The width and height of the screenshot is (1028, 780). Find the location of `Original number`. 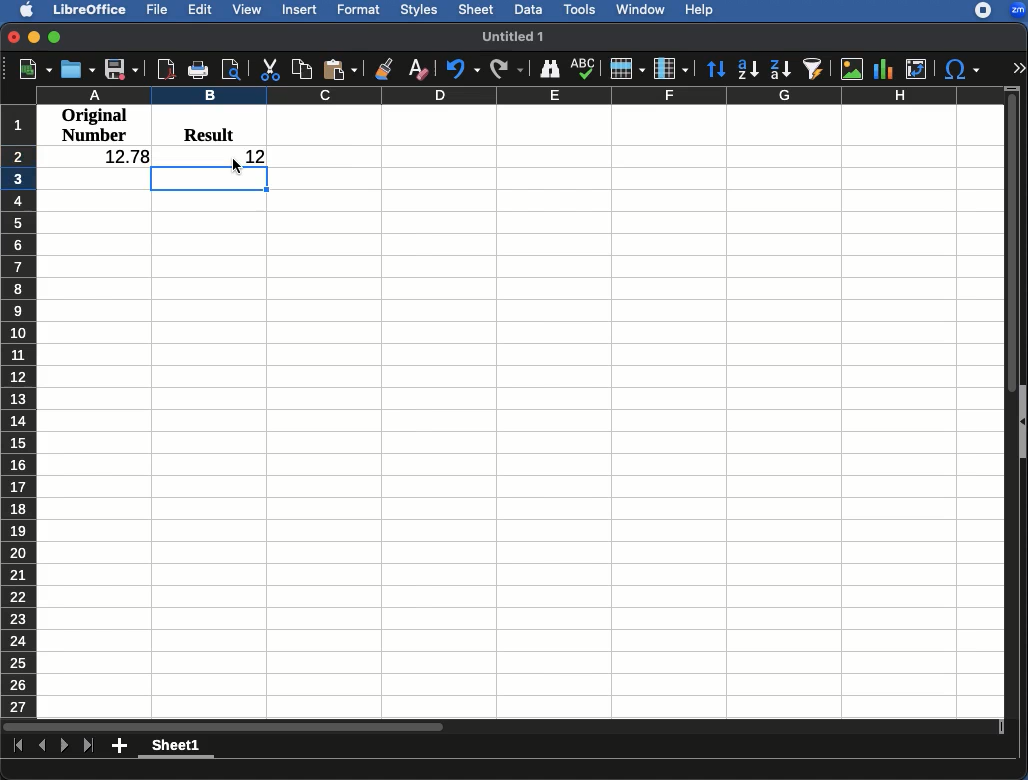

Original number is located at coordinates (95, 127).